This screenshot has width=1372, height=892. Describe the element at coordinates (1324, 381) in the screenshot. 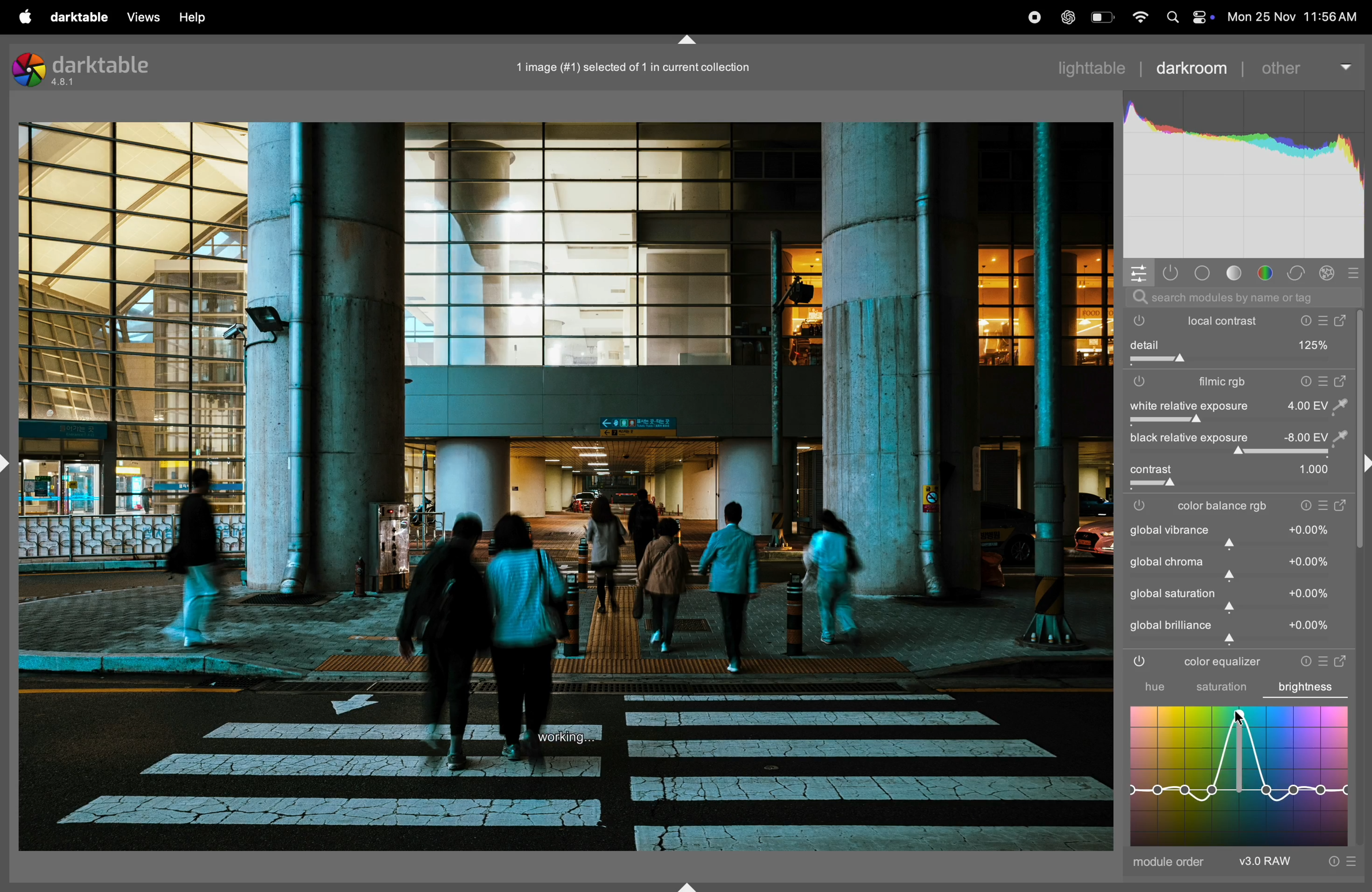

I see `presets` at that location.